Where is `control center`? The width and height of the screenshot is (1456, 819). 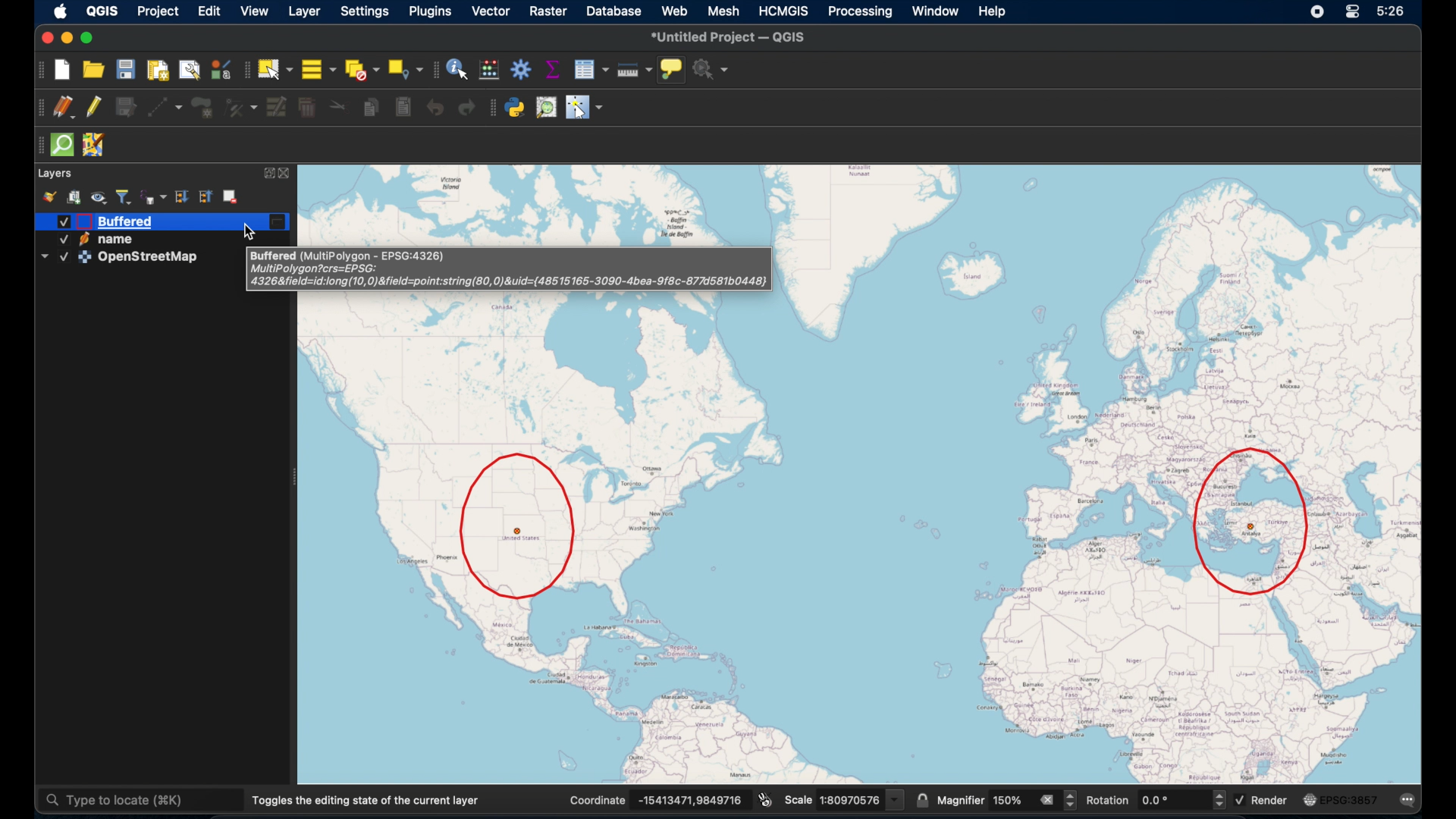
control center is located at coordinates (1354, 11).